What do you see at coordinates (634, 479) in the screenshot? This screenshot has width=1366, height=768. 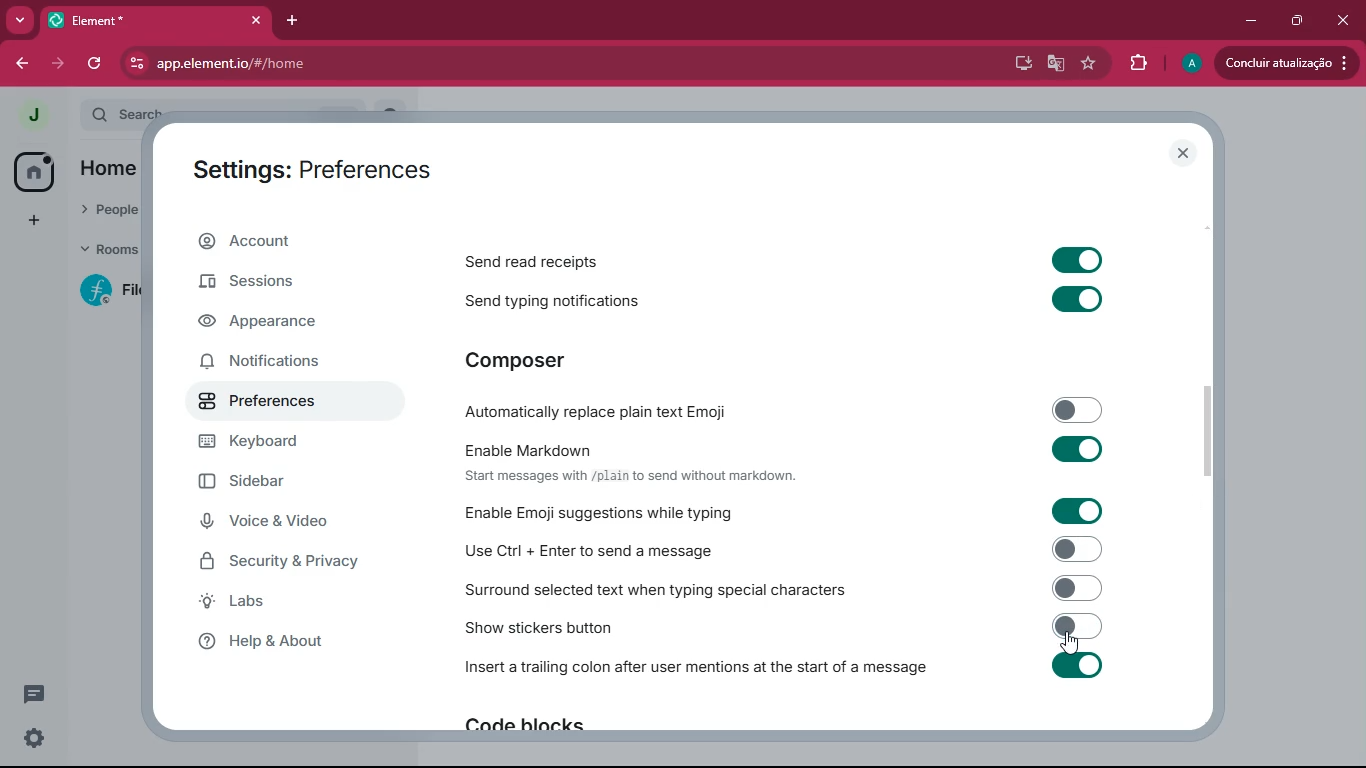 I see `‘Start messages with /plain to send without markdown.` at bounding box center [634, 479].